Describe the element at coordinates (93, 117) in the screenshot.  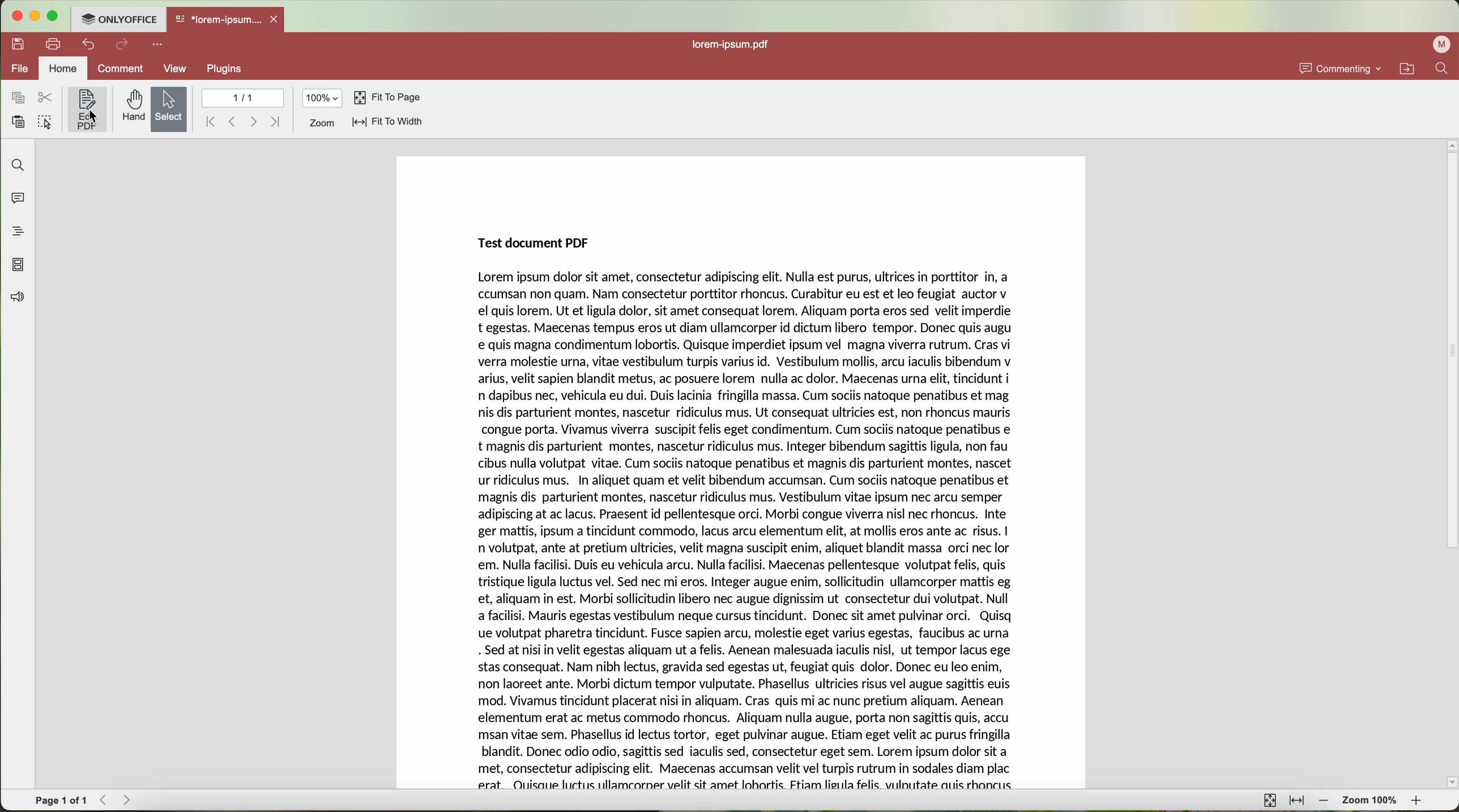
I see `cursor` at that location.